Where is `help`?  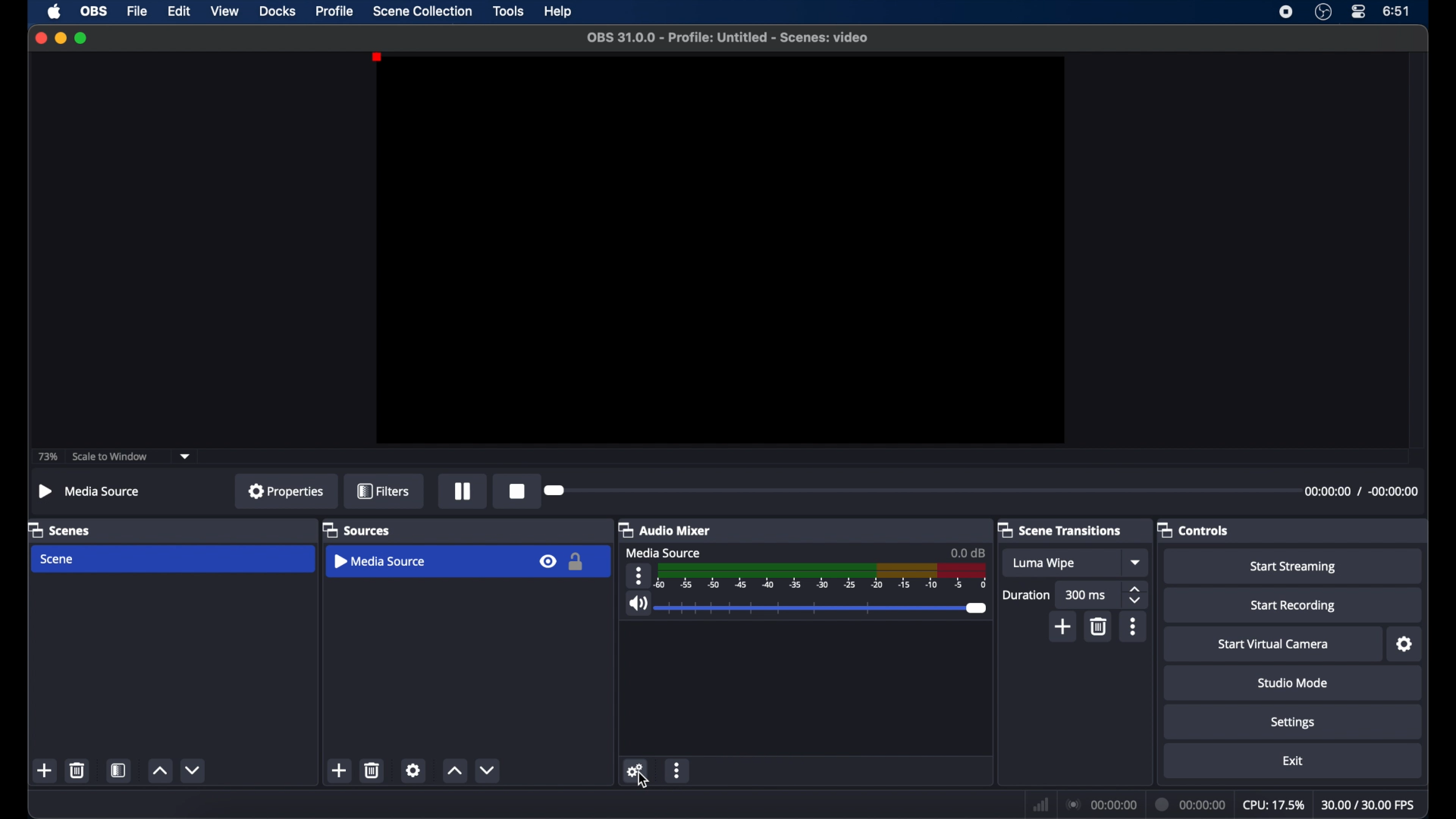
help is located at coordinates (560, 12).